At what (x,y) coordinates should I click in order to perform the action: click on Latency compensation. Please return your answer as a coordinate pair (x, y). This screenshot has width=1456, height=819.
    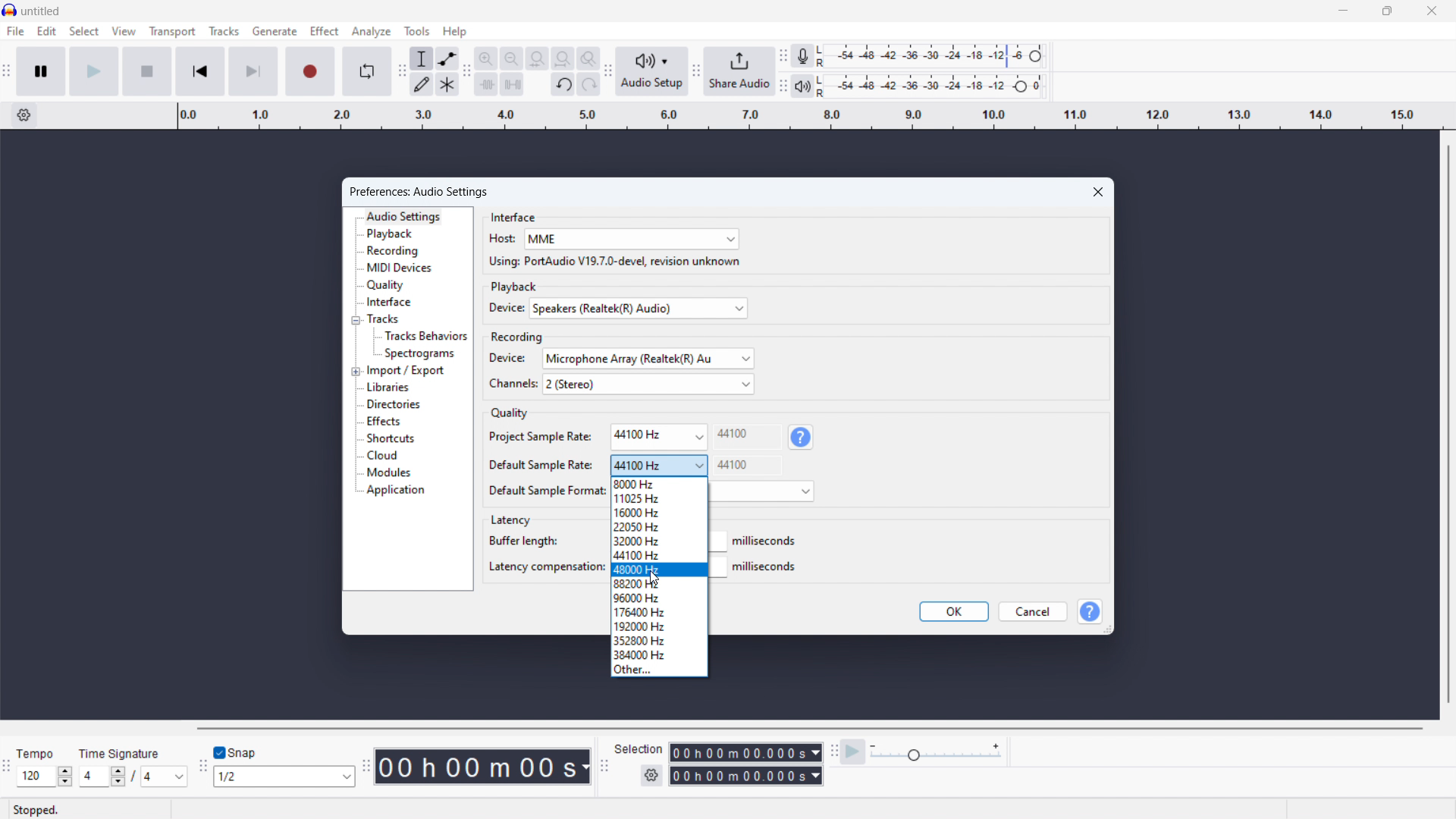
    Looking at the image, I should click on (544, 566).